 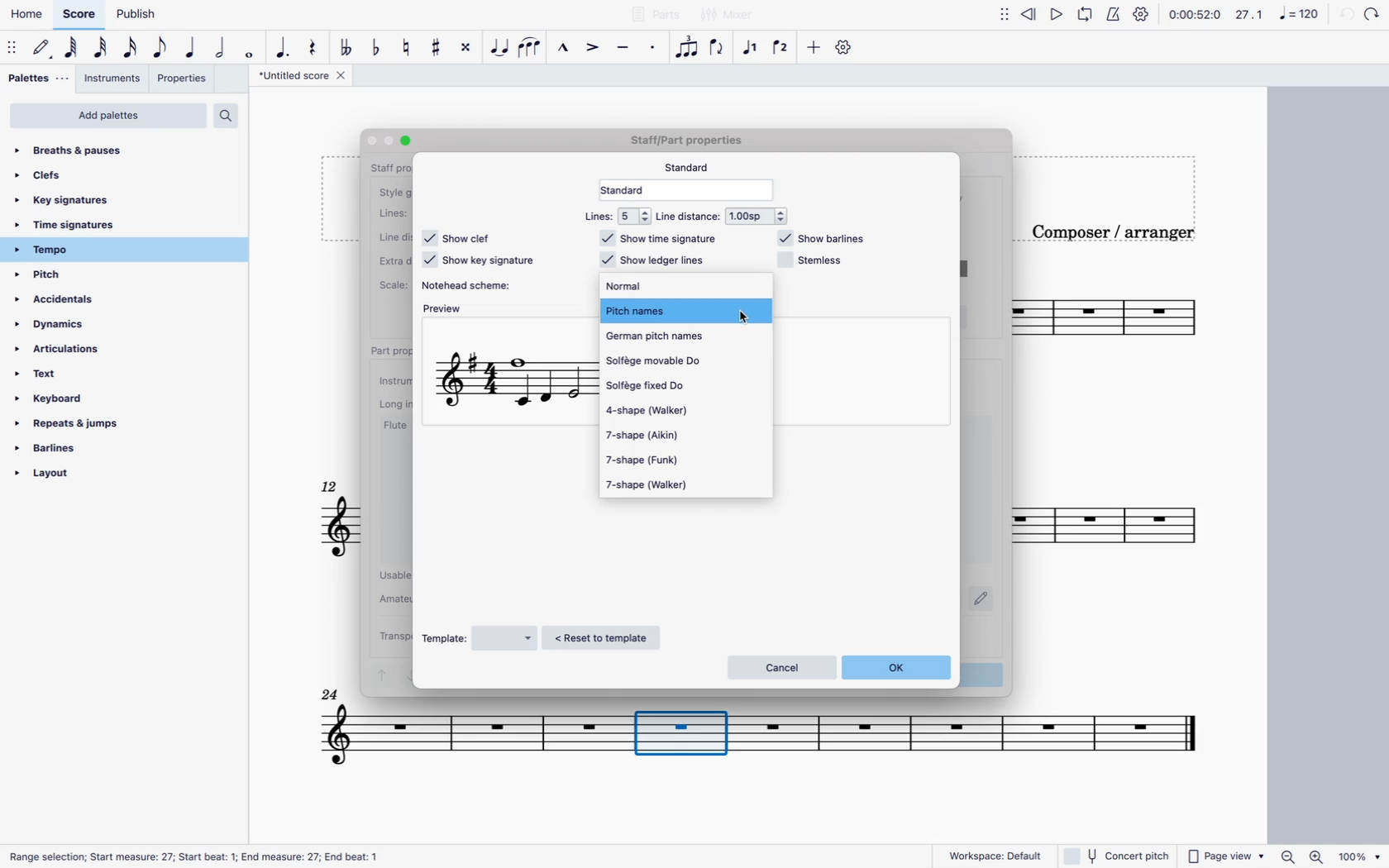 I want to click on , so click(x=1375, y=14).